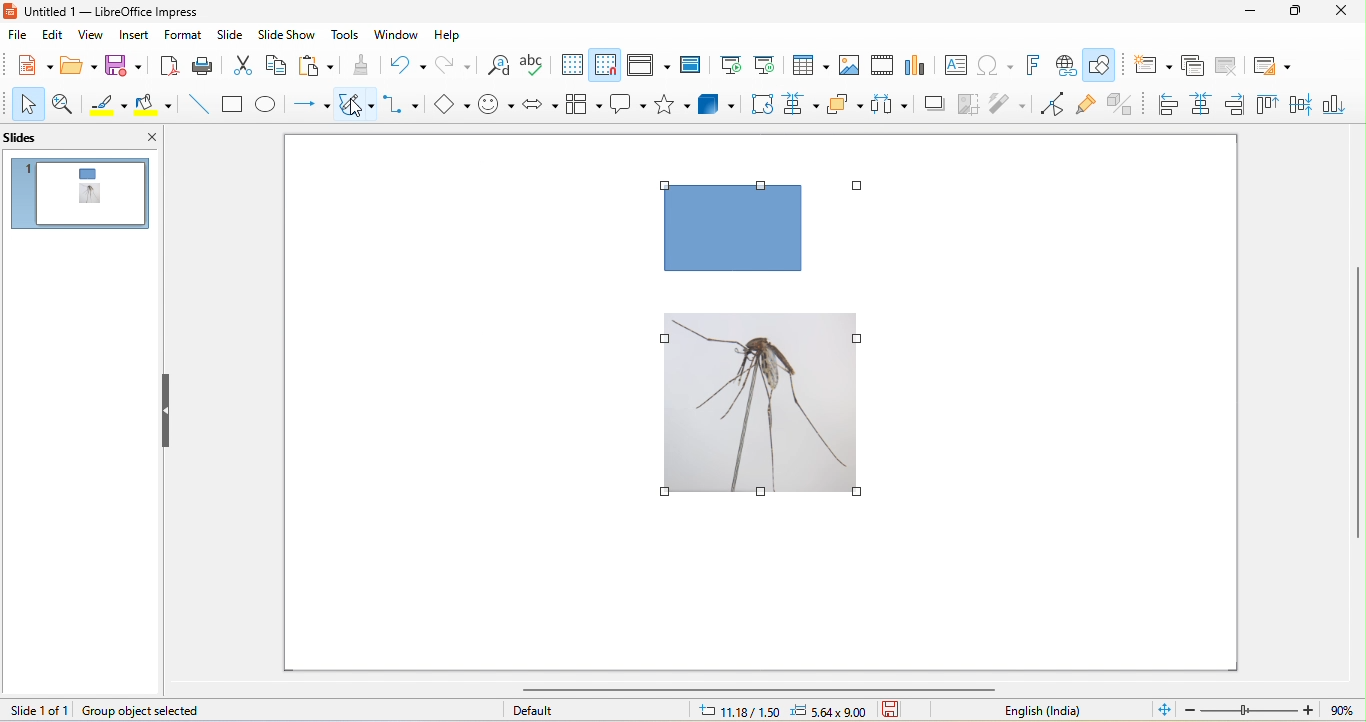 The height and width of the screenshot is (722, 1366). I want to click on display view, so click(653, 66).